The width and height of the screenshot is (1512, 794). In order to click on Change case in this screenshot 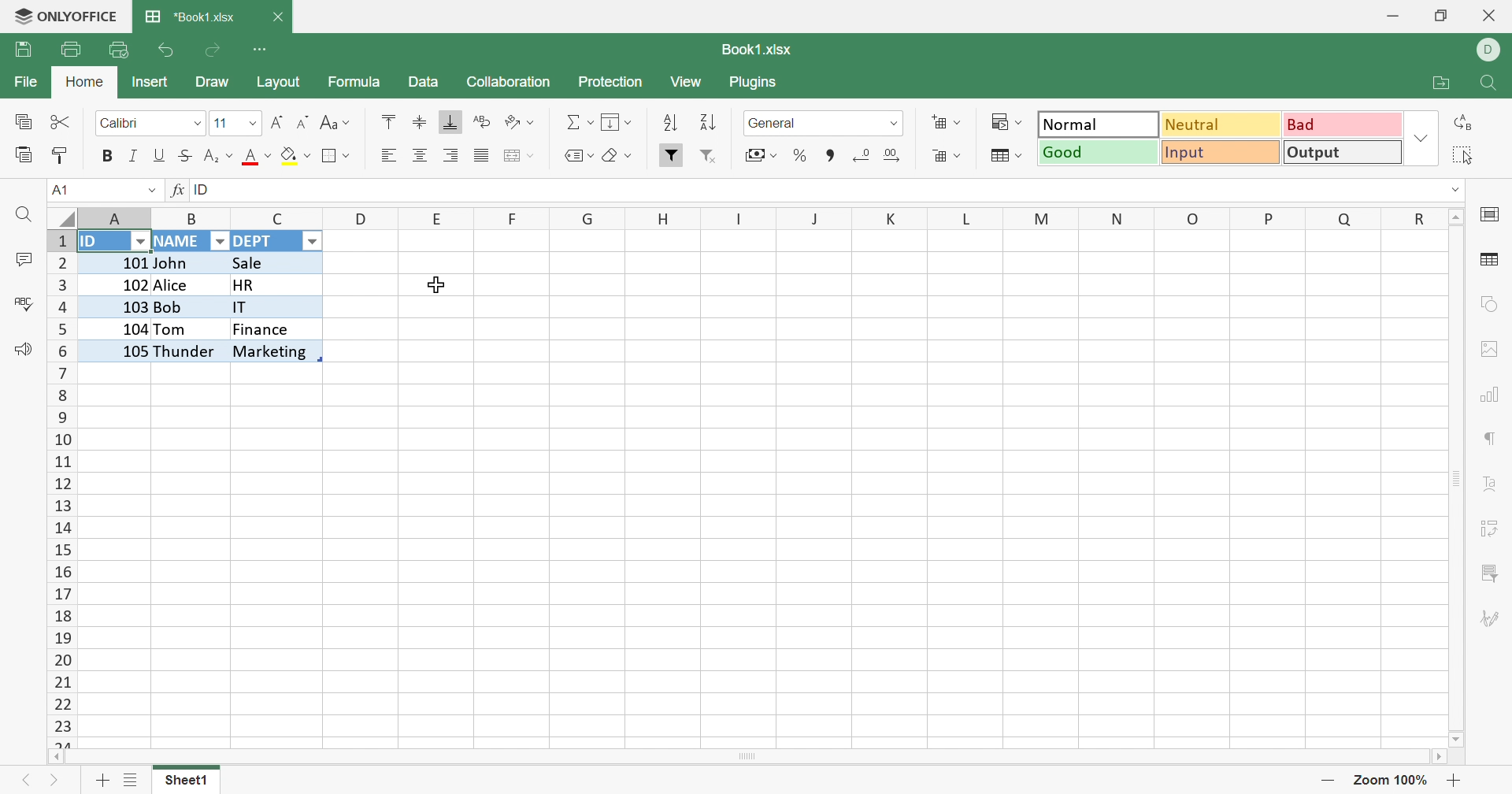, I will do `click(333, 123)`.